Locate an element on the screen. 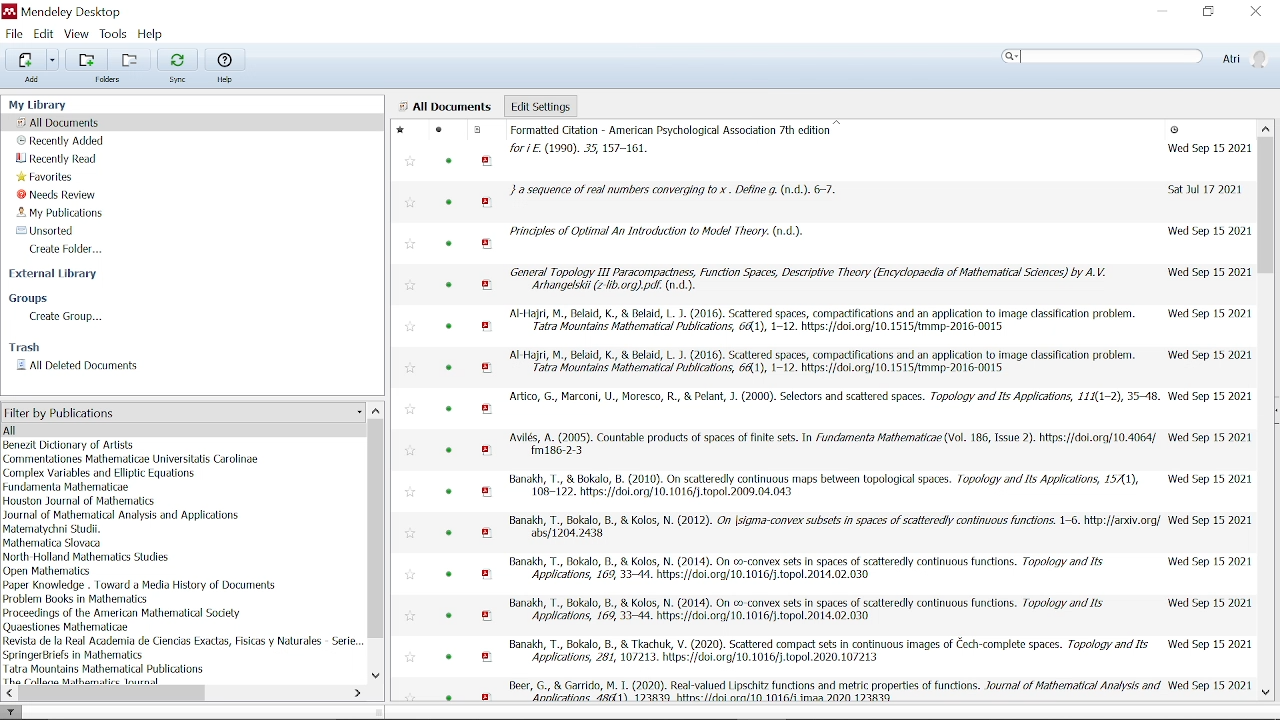 The width and height of the screenshot is (1280, 720). author is located at coordinates (78, 599).